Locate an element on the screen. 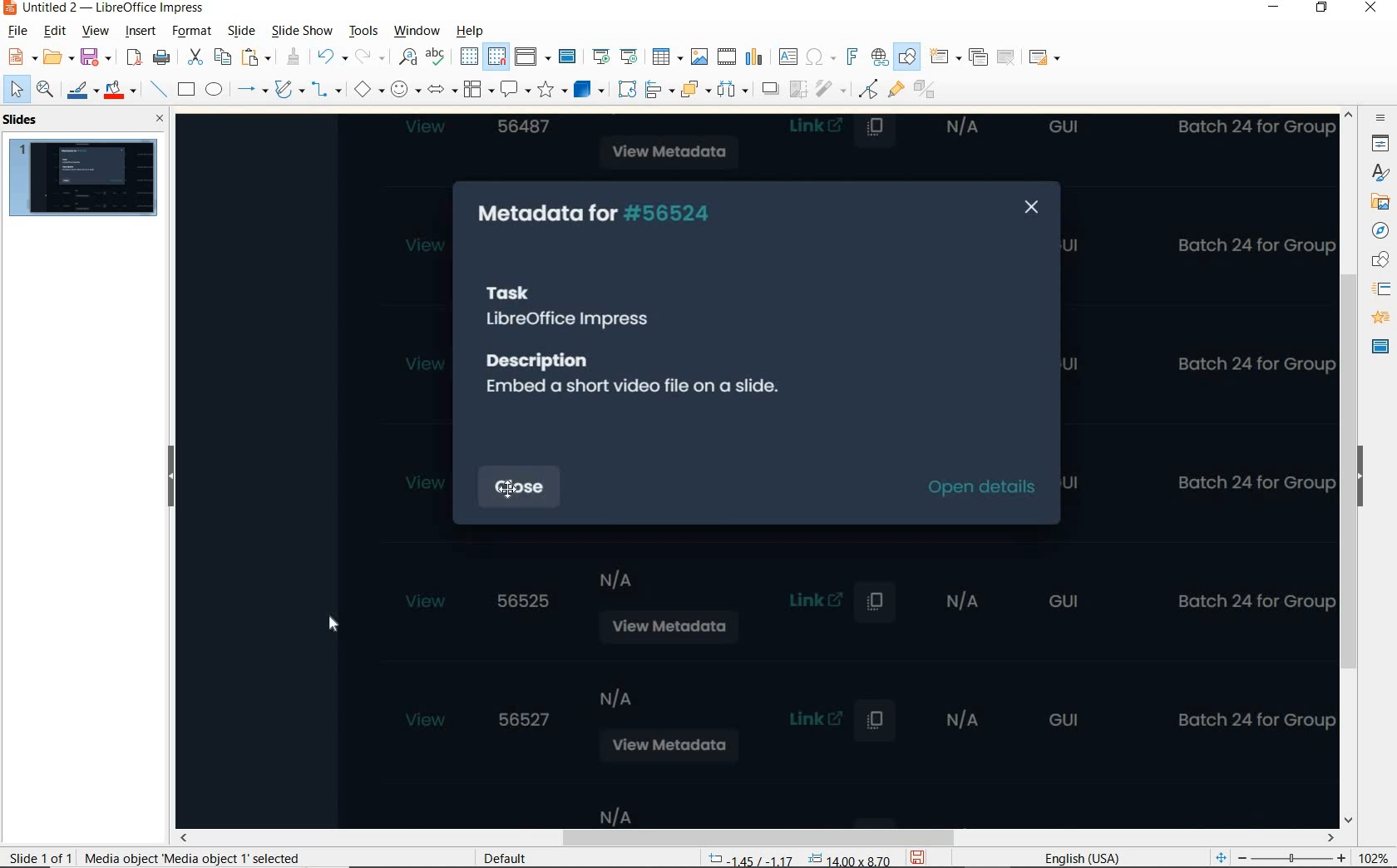 The image size is (1397, 868). SAVE is located at coordinates (922, 856).